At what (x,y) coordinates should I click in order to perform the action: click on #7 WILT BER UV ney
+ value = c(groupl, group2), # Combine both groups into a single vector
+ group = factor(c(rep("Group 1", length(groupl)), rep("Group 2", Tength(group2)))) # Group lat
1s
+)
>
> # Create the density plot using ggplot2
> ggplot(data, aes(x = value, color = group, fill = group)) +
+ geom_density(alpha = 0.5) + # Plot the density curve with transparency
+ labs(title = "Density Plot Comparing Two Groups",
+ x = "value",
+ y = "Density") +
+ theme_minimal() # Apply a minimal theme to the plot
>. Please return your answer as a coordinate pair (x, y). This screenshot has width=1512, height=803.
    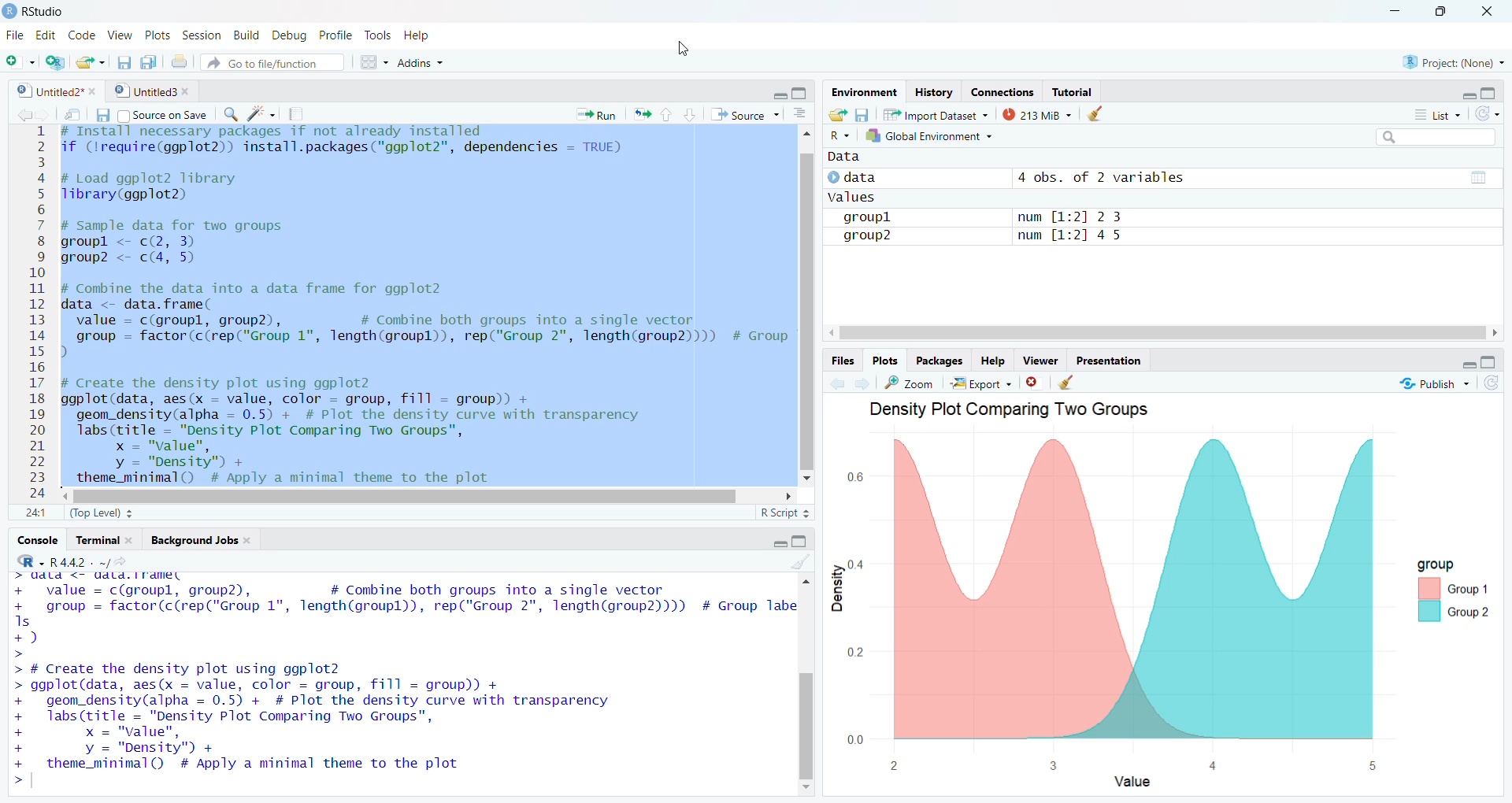
    Looking at the image, I should click on (396, 680).